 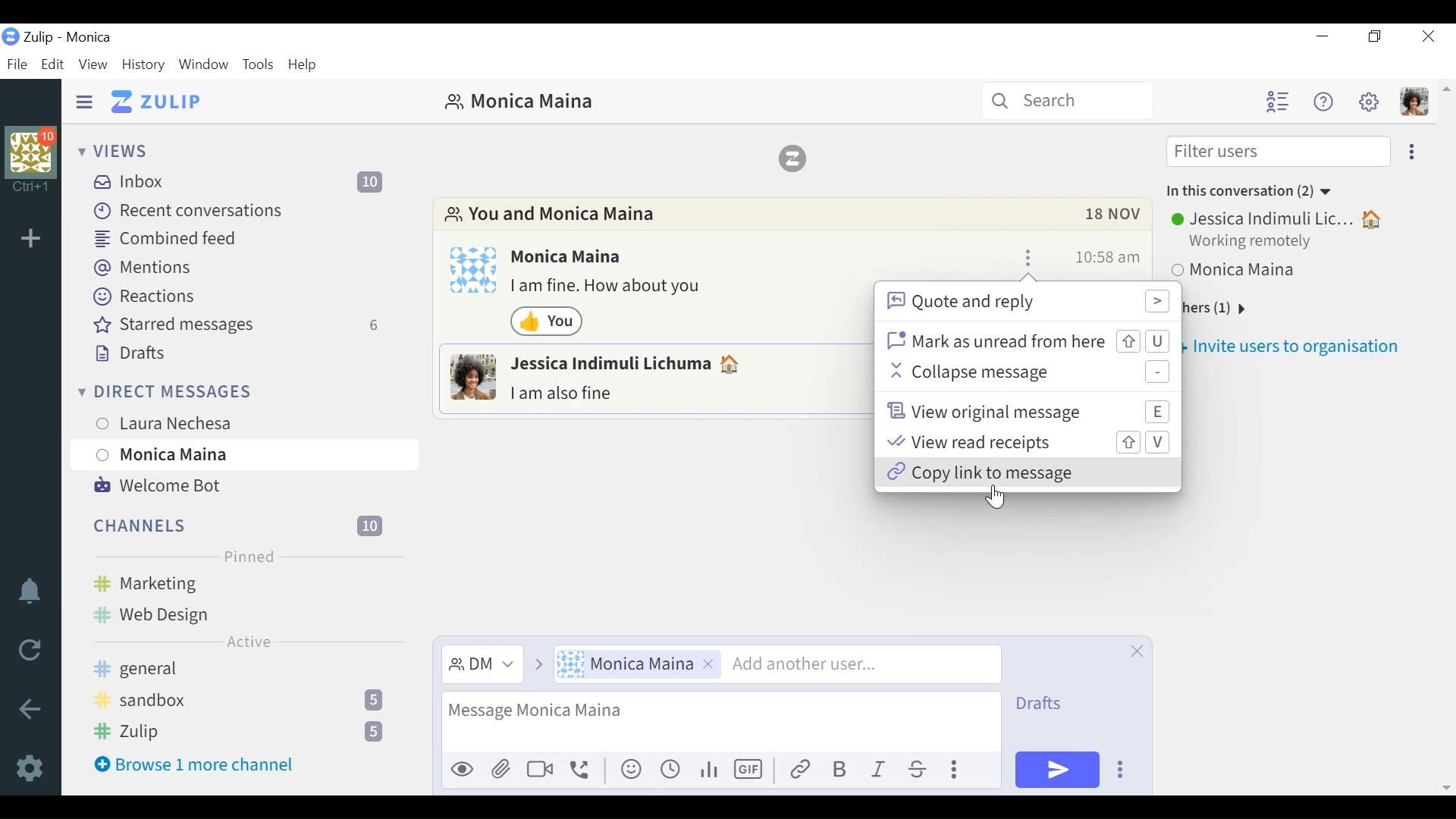 I want to click on go to, so click(x=538, y=667).